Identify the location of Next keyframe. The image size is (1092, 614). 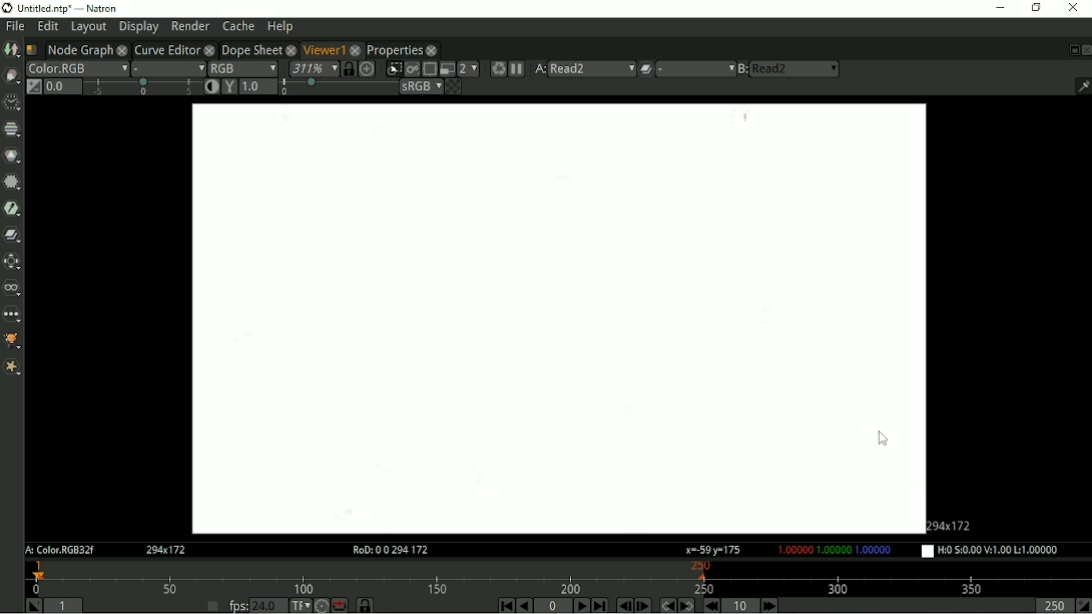
(687, 605).